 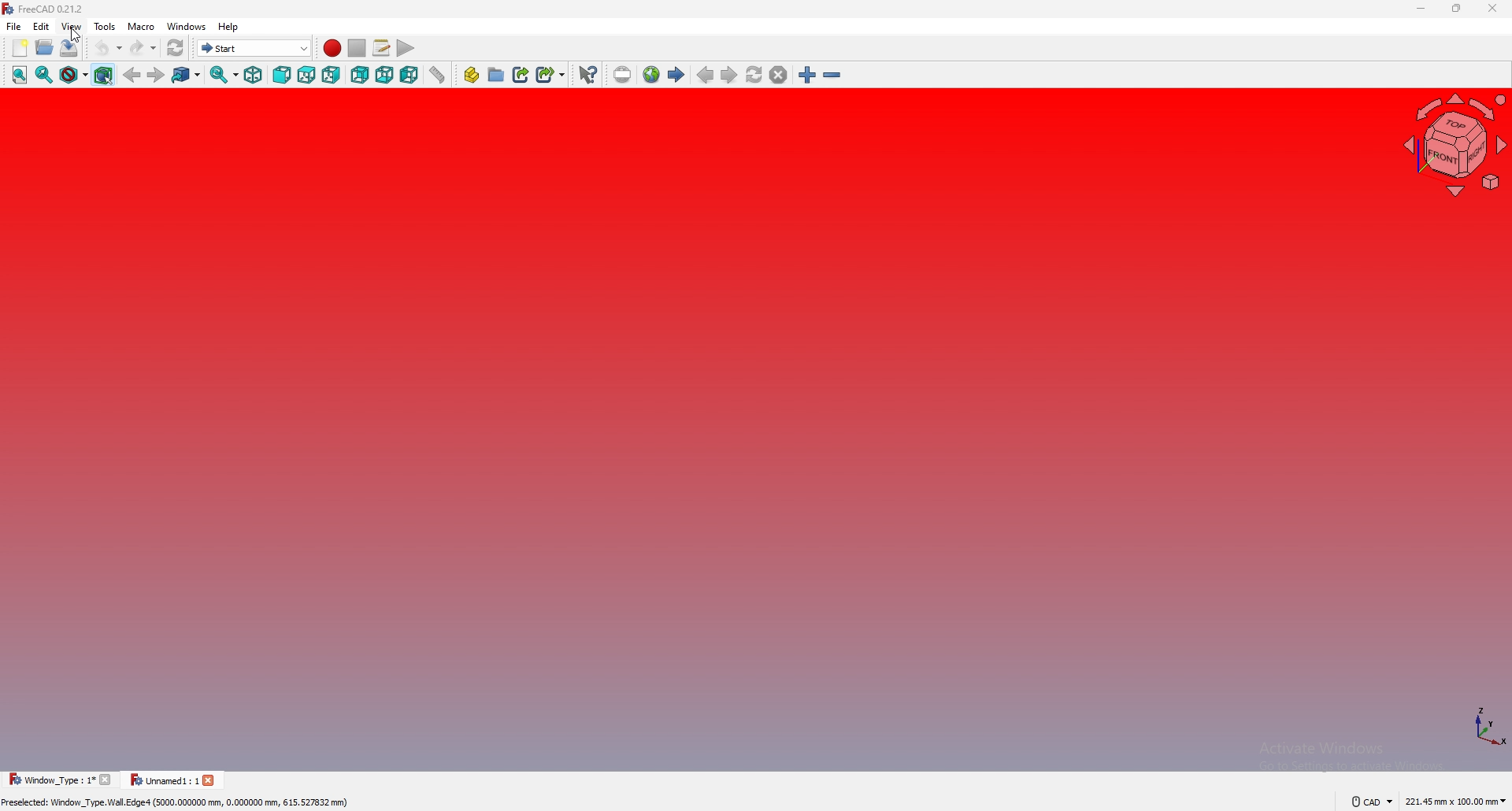 What do you see at coordinates (132, 74) in the screenshot?
I see `back` at bounding box center [132, 74].